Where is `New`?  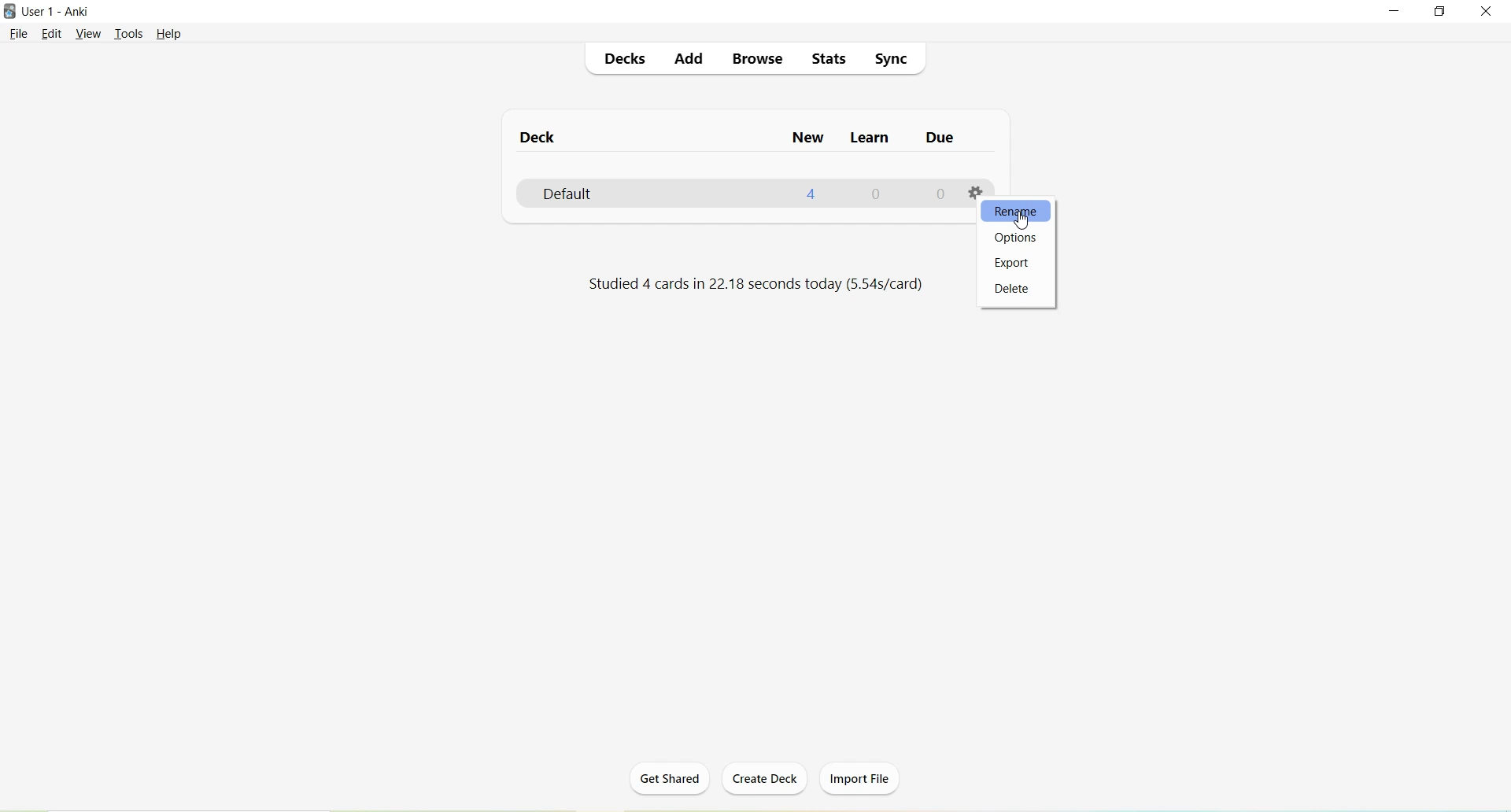 New is located at coordinates (807, 139).